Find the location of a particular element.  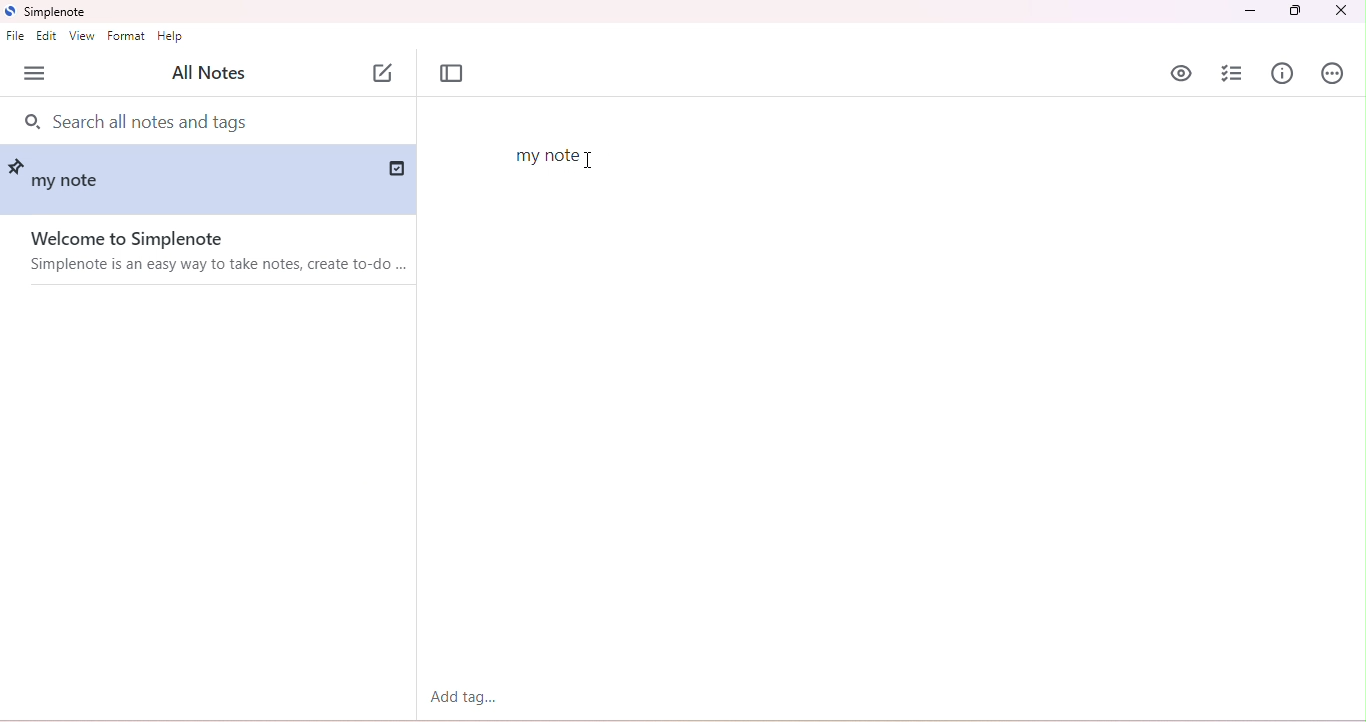

note text is located at coordinates (545, 155).